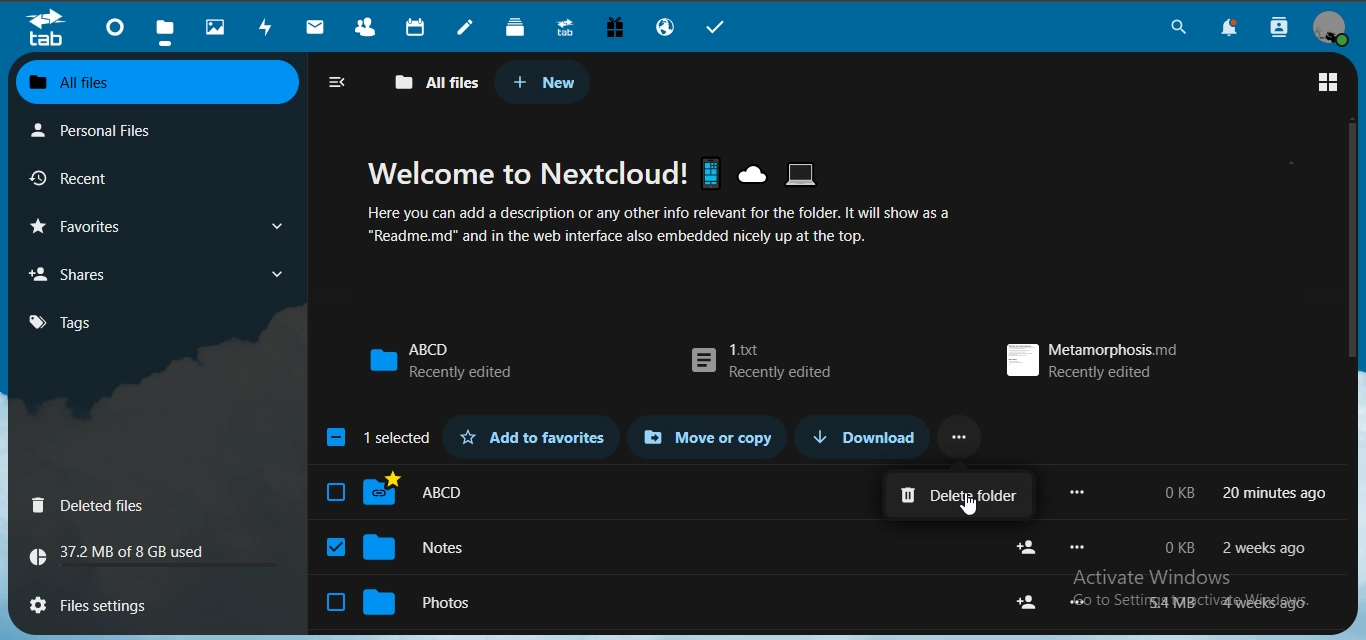  Describe the element at coordinates (158, 272) in the screenshot. I see `shares` at that location.